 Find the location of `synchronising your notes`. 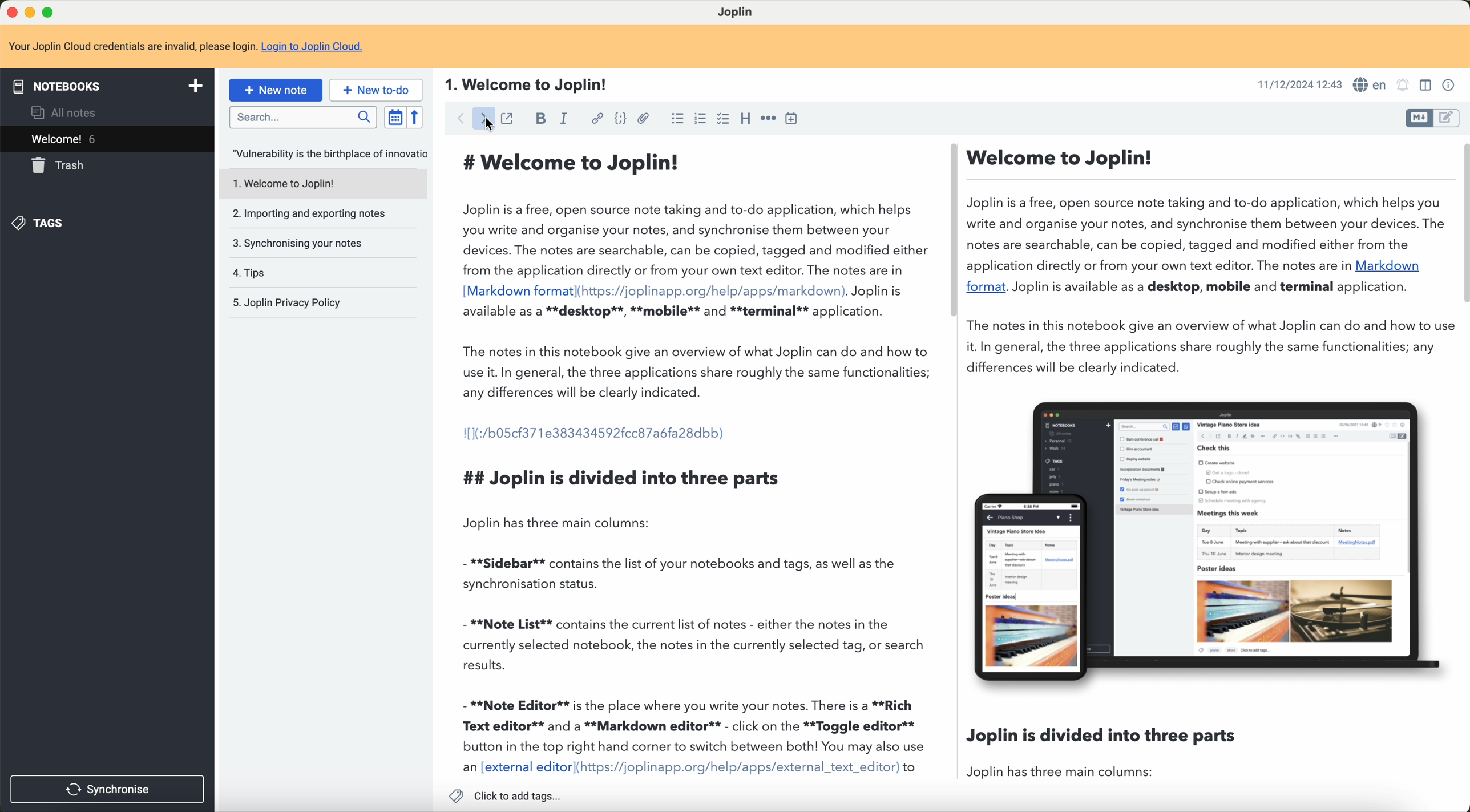

synchronising your notes is located at coordinates (298, 242).